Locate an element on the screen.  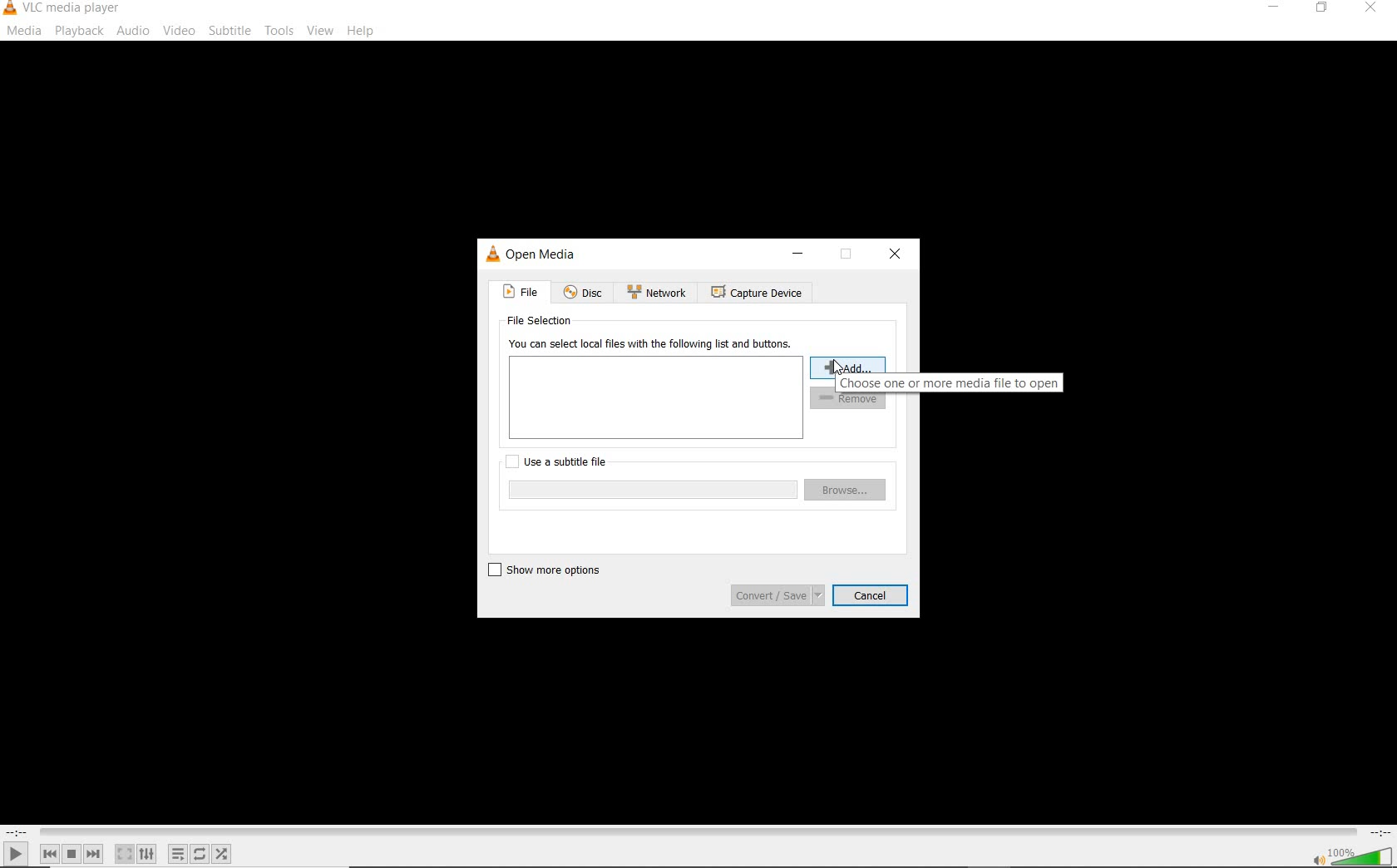
volume is located at coordinates (1362, 855).